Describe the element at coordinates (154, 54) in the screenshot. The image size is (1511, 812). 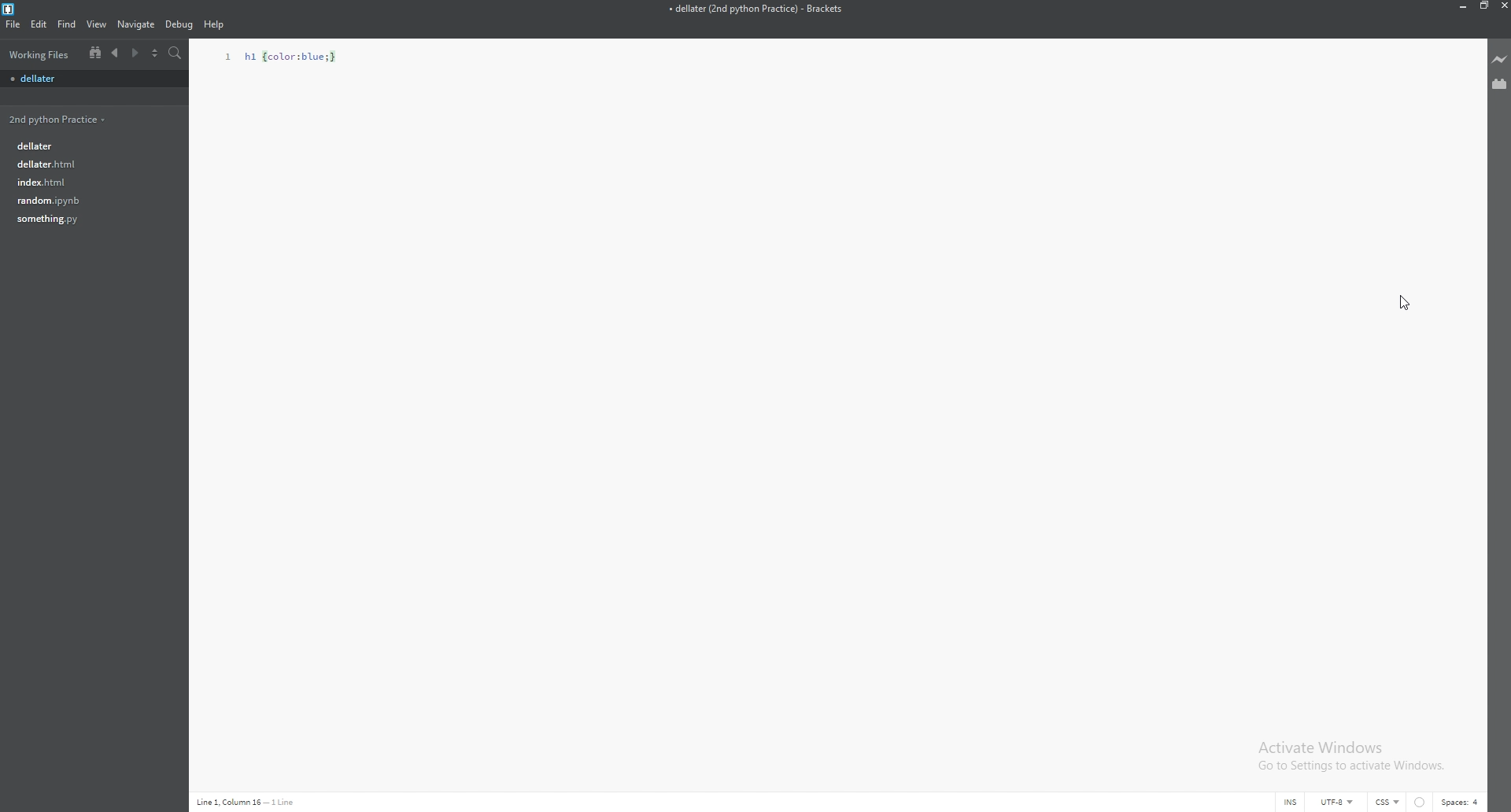
I see `split view` at that location.